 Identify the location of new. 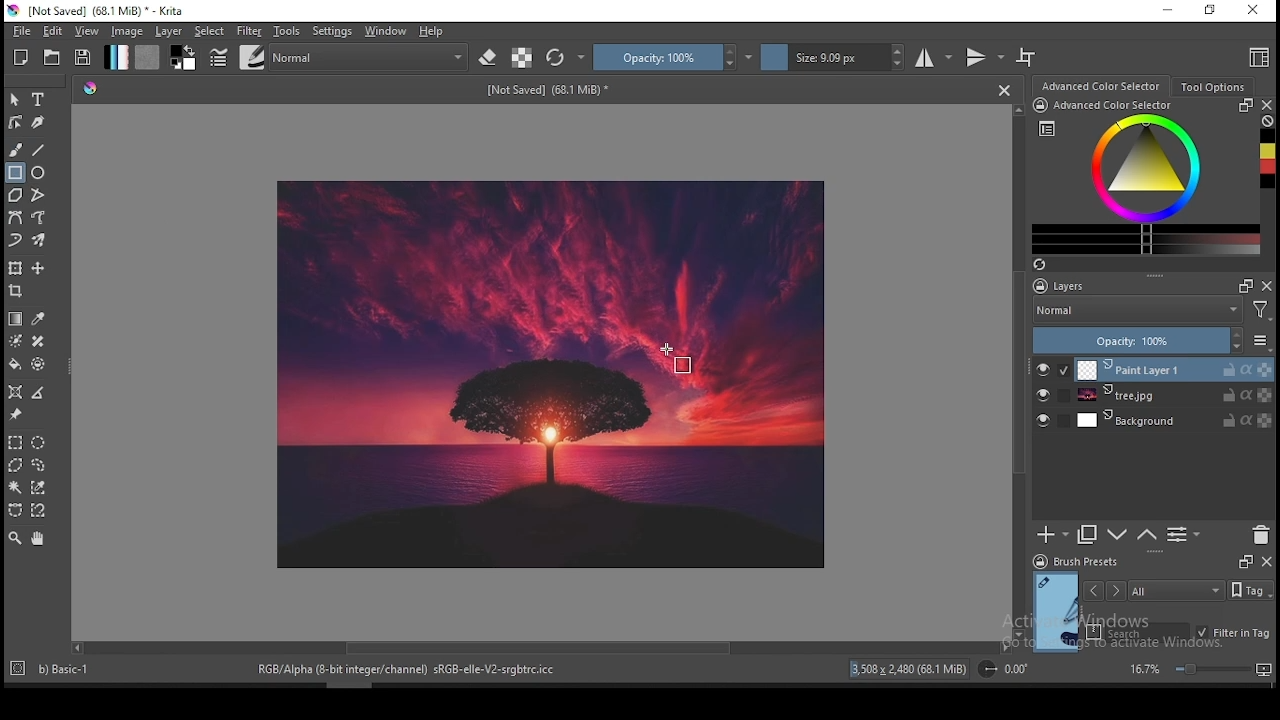
(22, 57).